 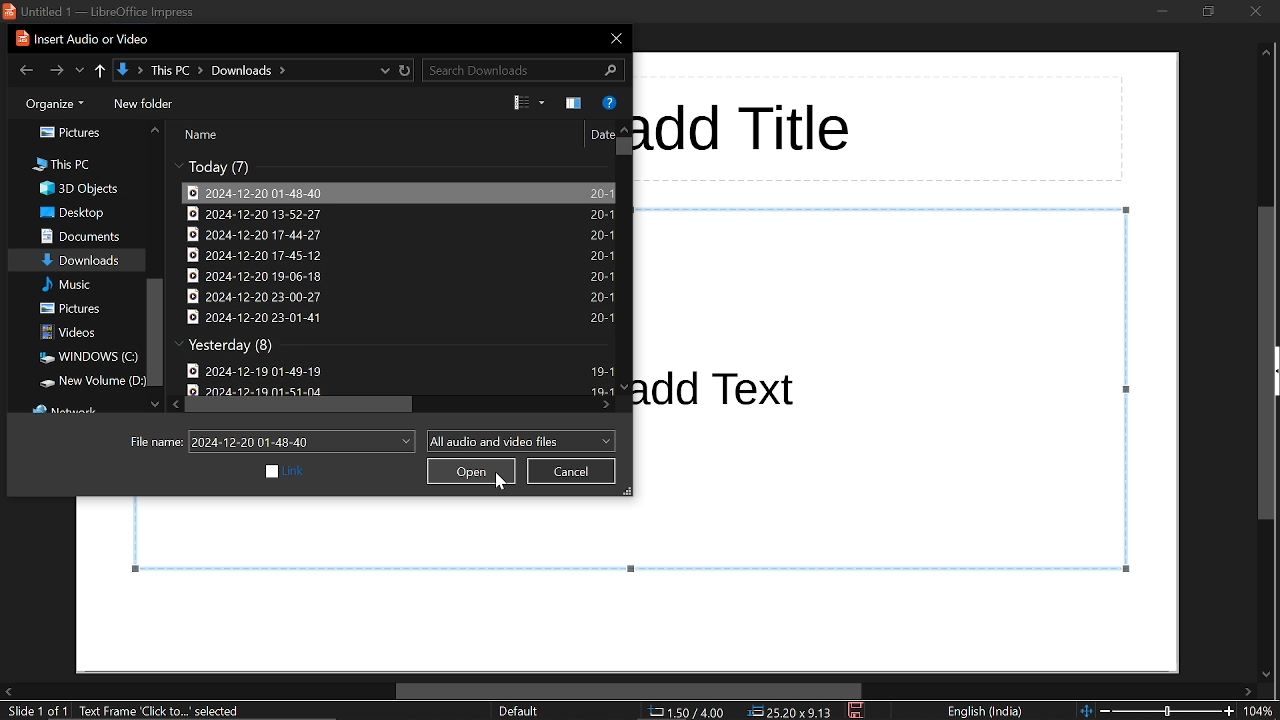 What do you see at coordinates (82, 262) in the screenshot?
I see `downloads` at bounding box center [82, 262].